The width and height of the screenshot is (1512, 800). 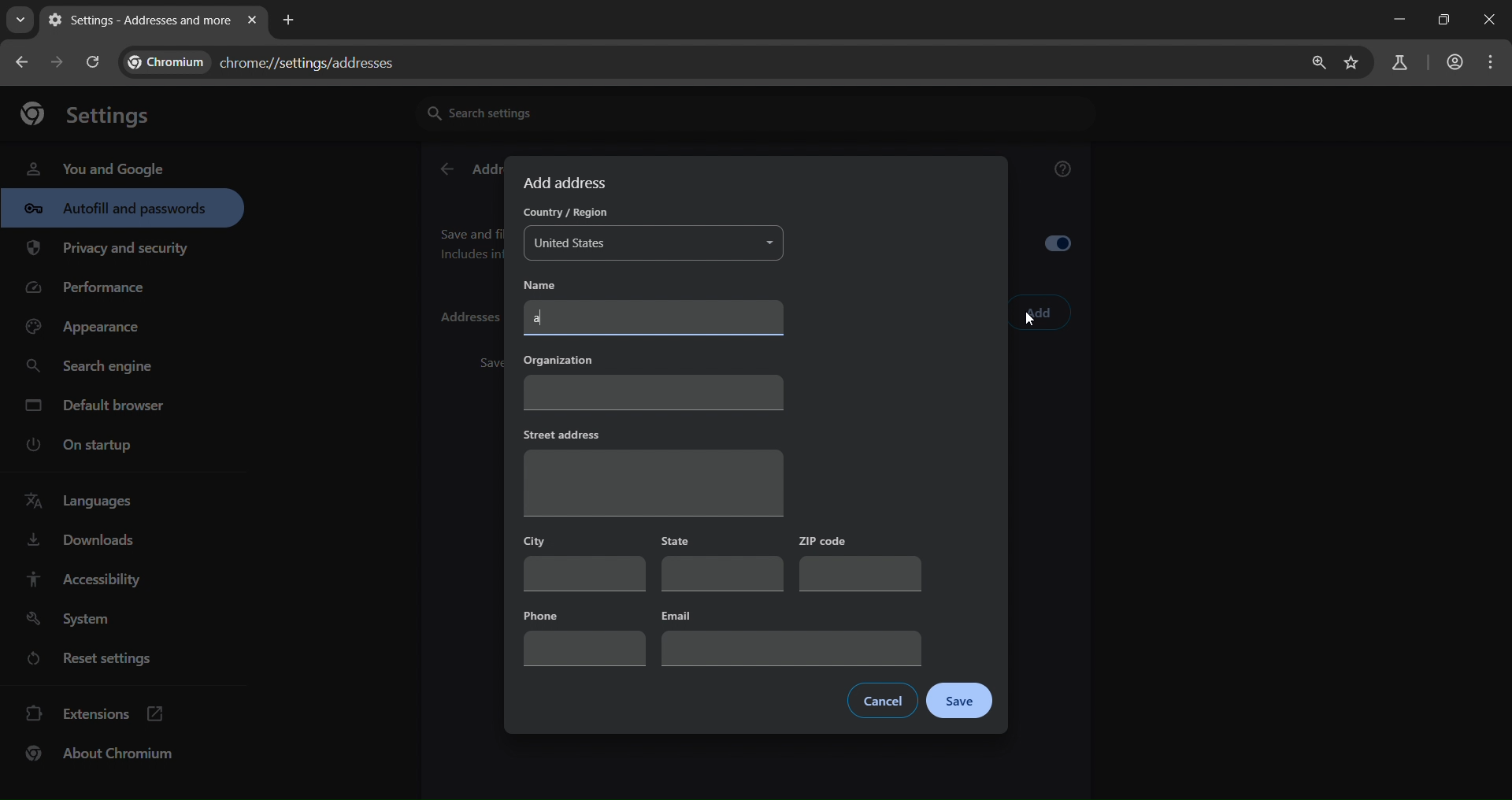 I want to click on accessibility, so click(x=82, y=579).